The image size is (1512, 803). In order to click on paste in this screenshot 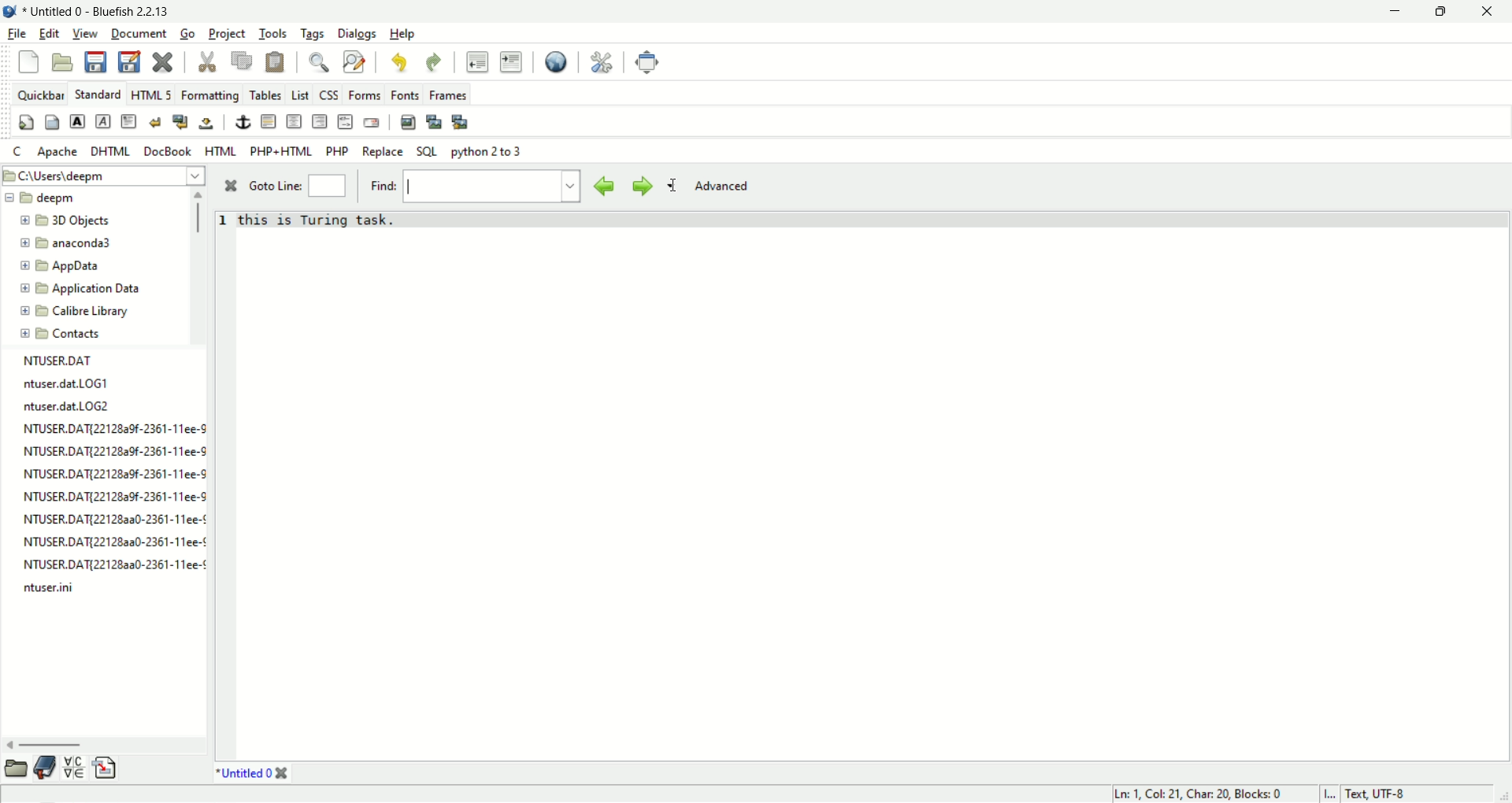, I will do `click(275, 63)`.